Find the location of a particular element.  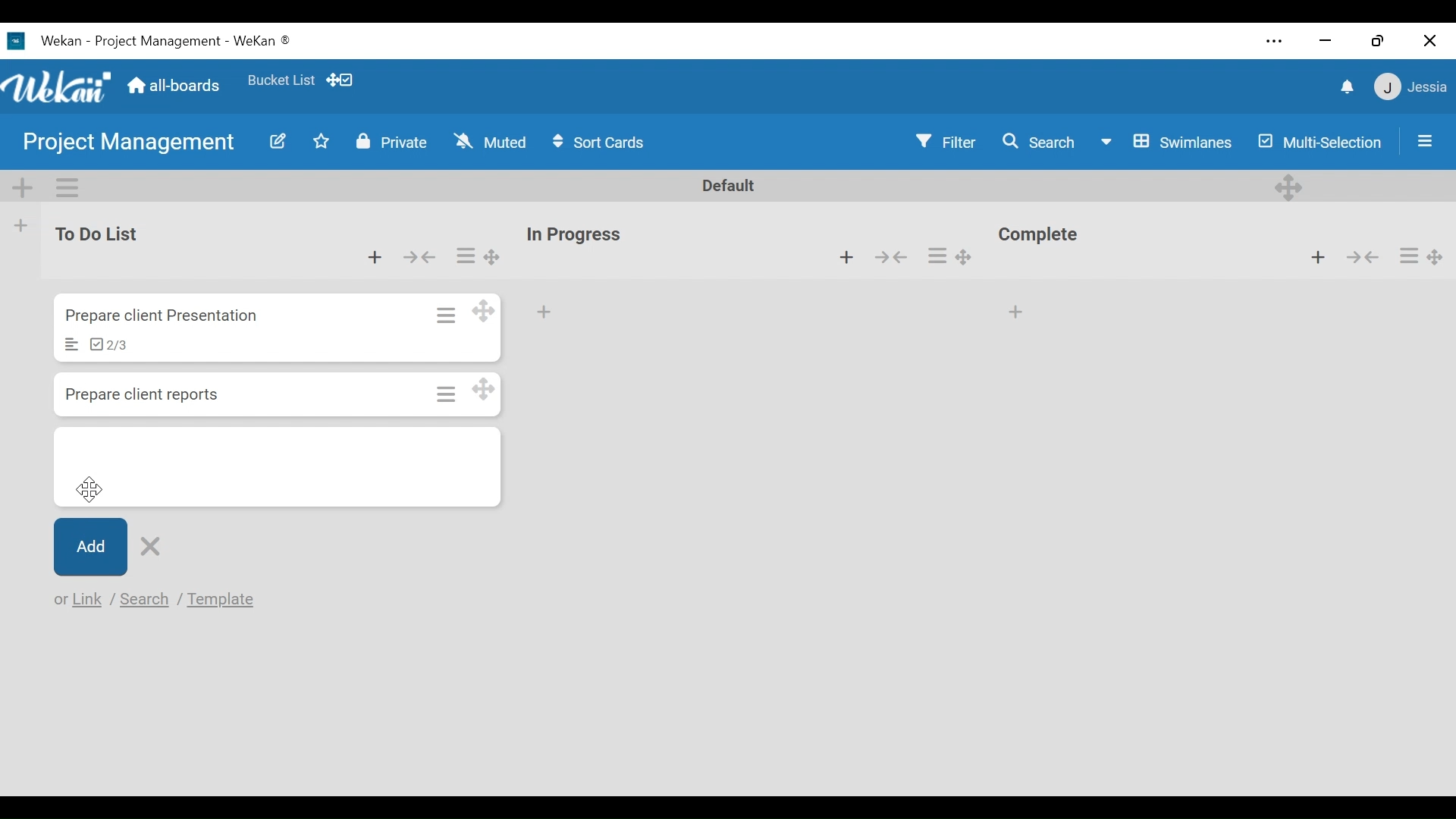

Checklist is located at coordinates (108, 346).